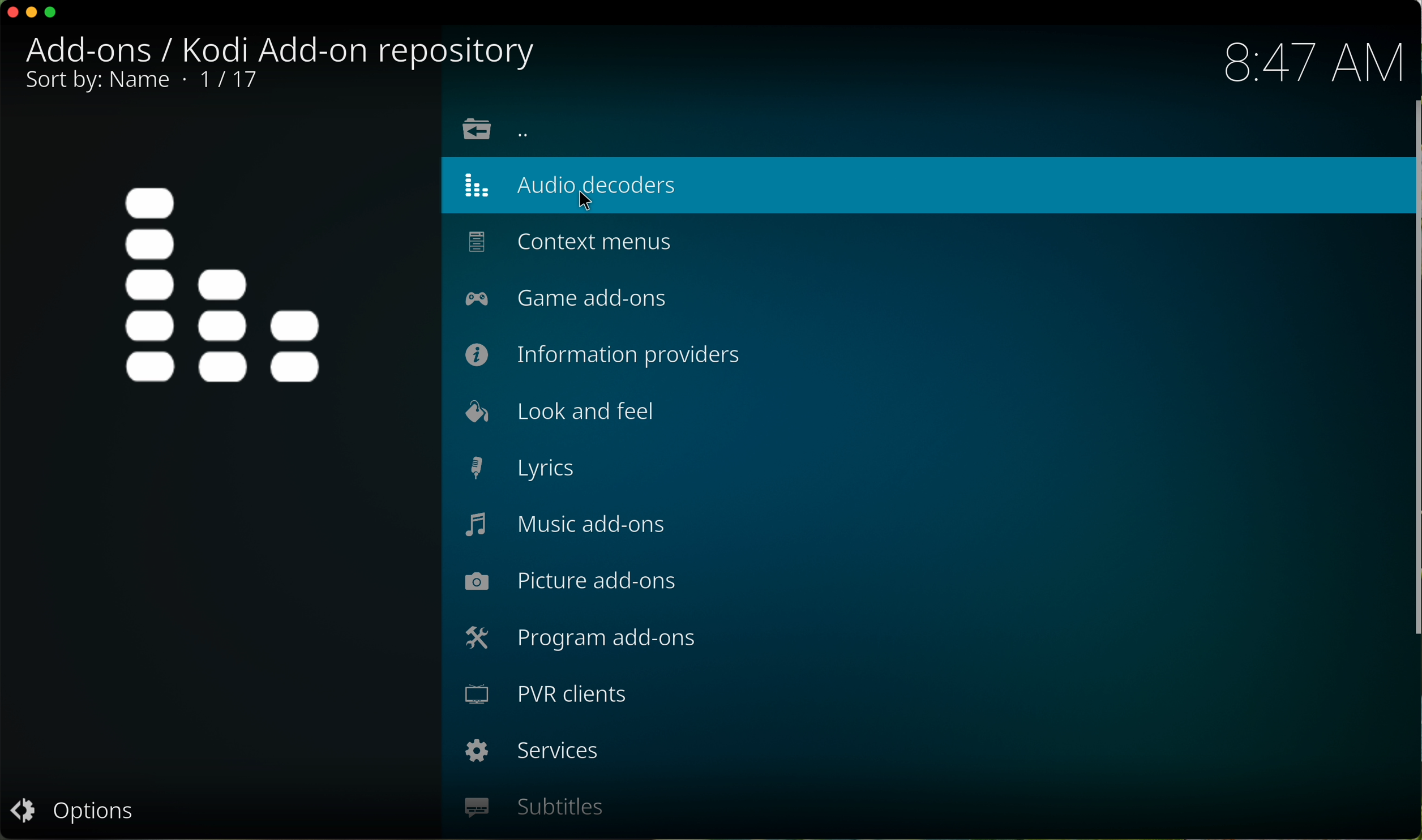 This screenshot has height=840, width=1422. What do you see at coordinates (586, 202) in the screenshot?
I see `cursor` at bounding box center [586, 202].